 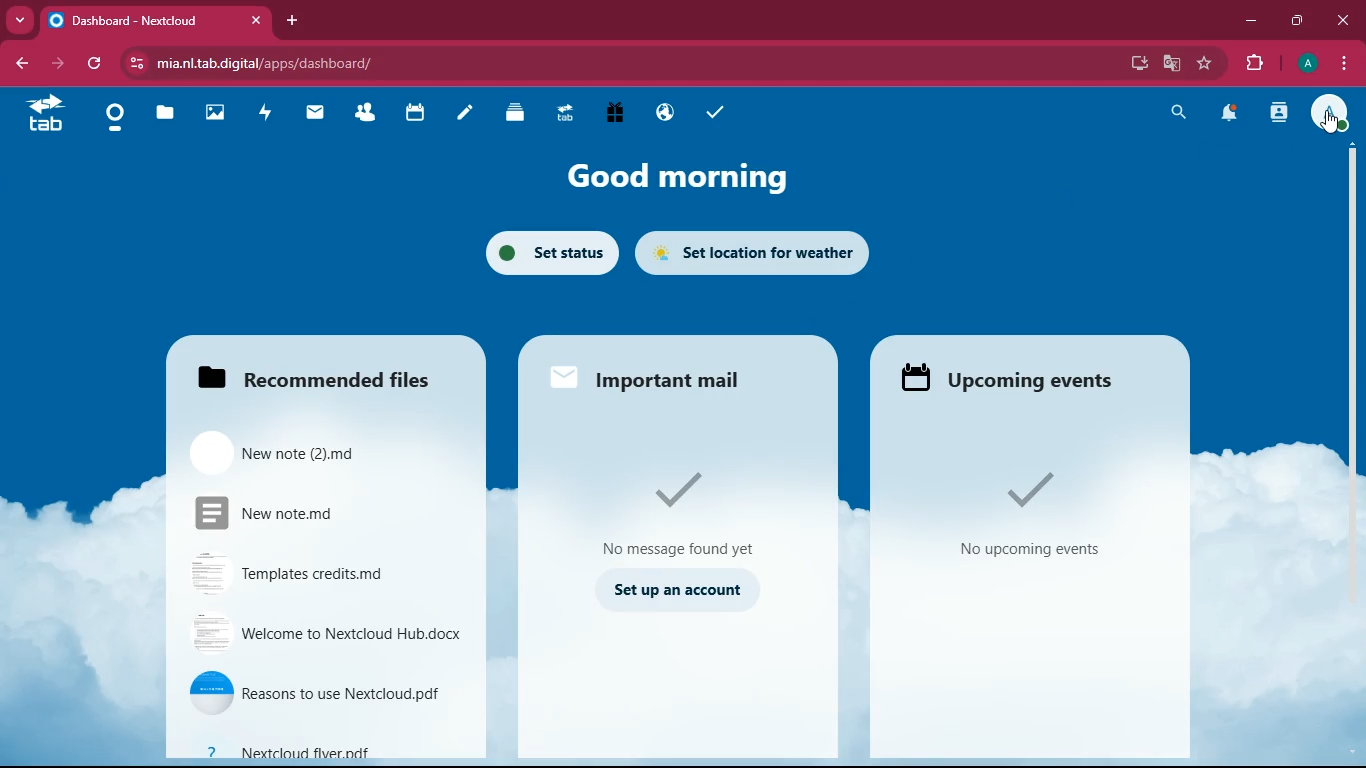 What do you see at coordinates (668, 113) in the screenshot?
I see `public` at bounding box center [668, 113].